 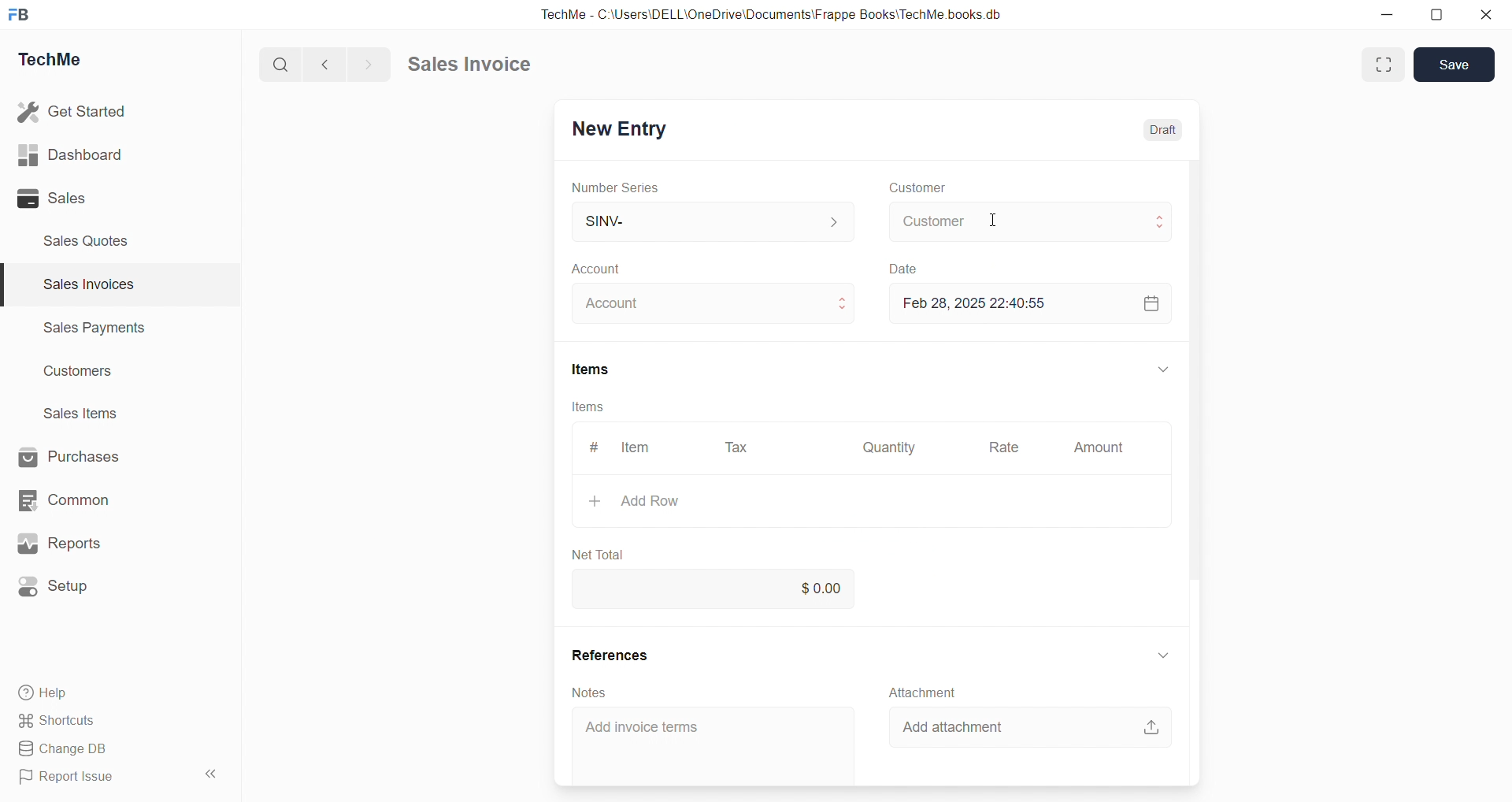 I want to click on Dashboard, so click(x=70, y=154).